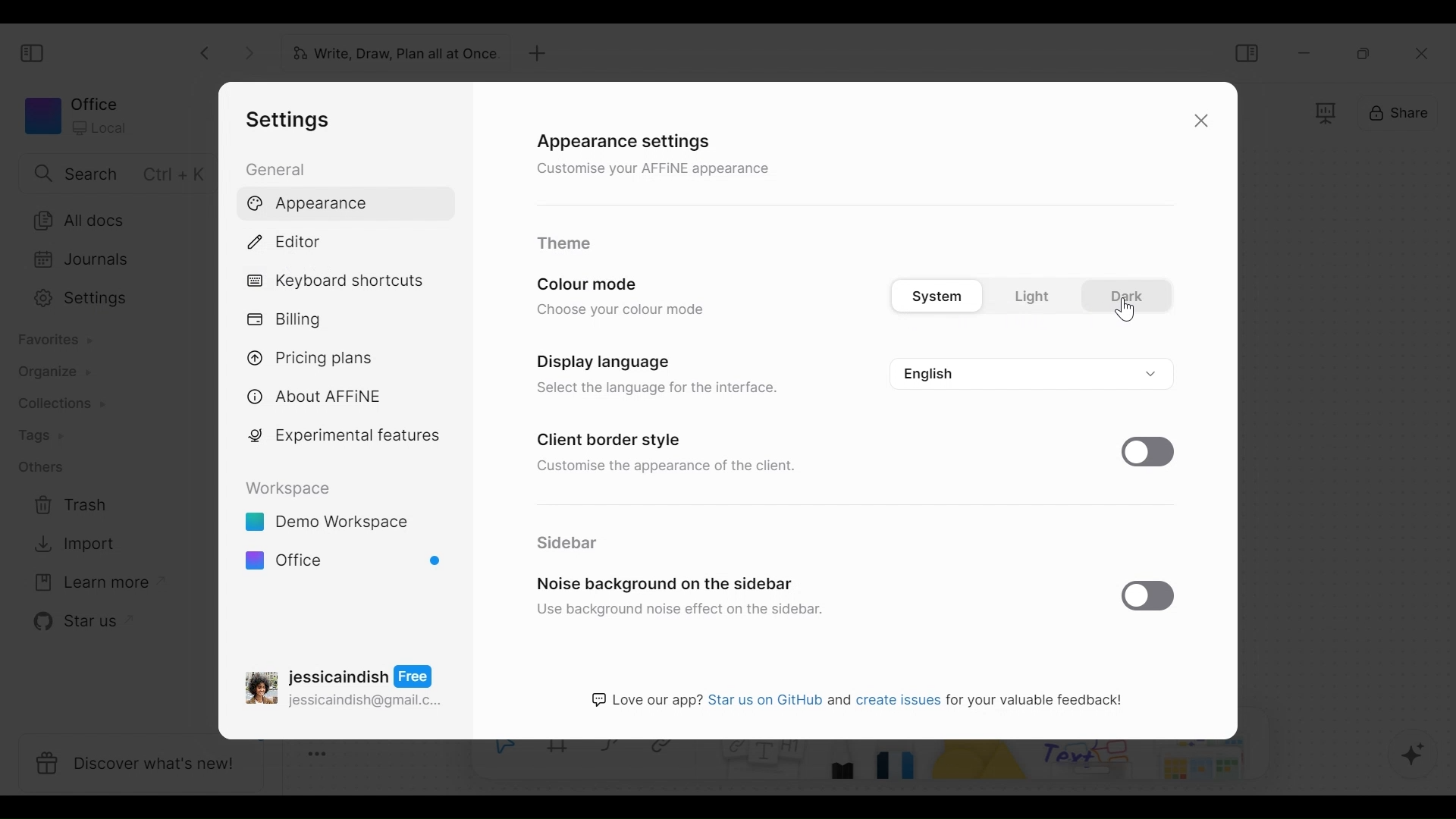 The width and height of the screenshot is (1456, 819). I want to click on Noise background, so click(679, 599).